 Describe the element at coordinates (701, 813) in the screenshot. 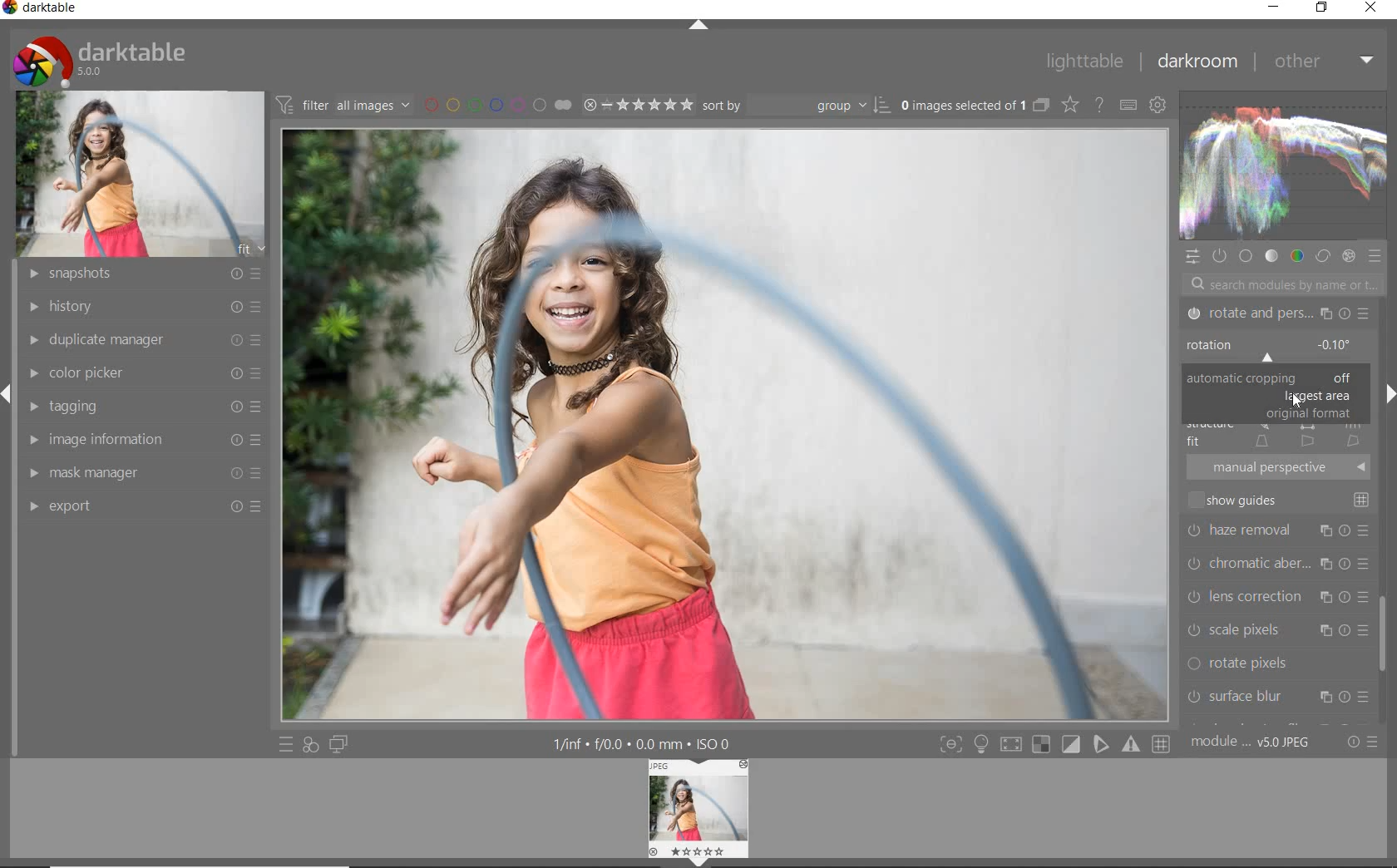

I see `image preview` at that location.